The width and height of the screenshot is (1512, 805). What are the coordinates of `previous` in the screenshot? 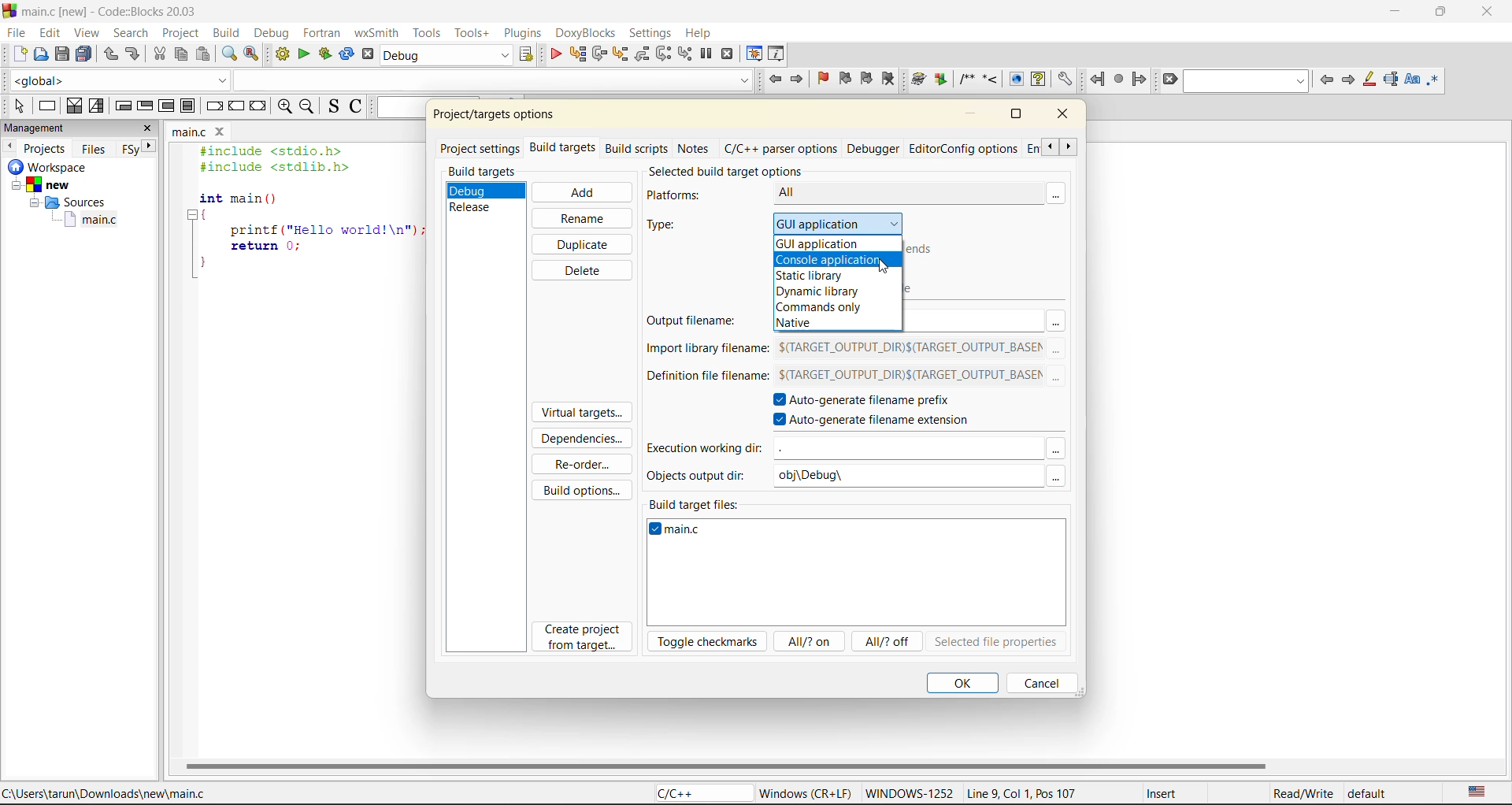 It's located at (1327, 81).